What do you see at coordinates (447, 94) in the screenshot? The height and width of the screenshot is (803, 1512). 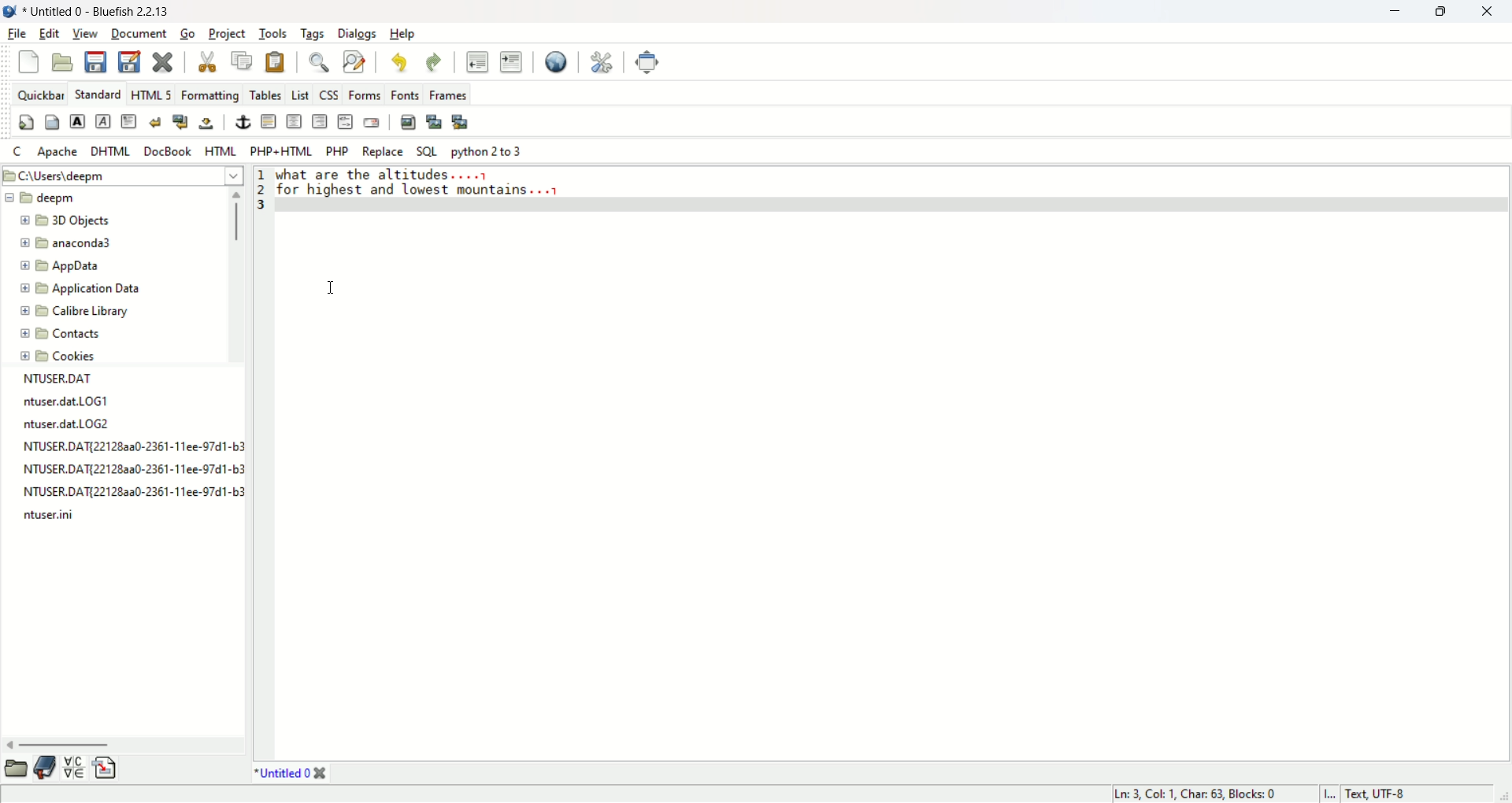 I see `frames` at bounding box center [447, 94].